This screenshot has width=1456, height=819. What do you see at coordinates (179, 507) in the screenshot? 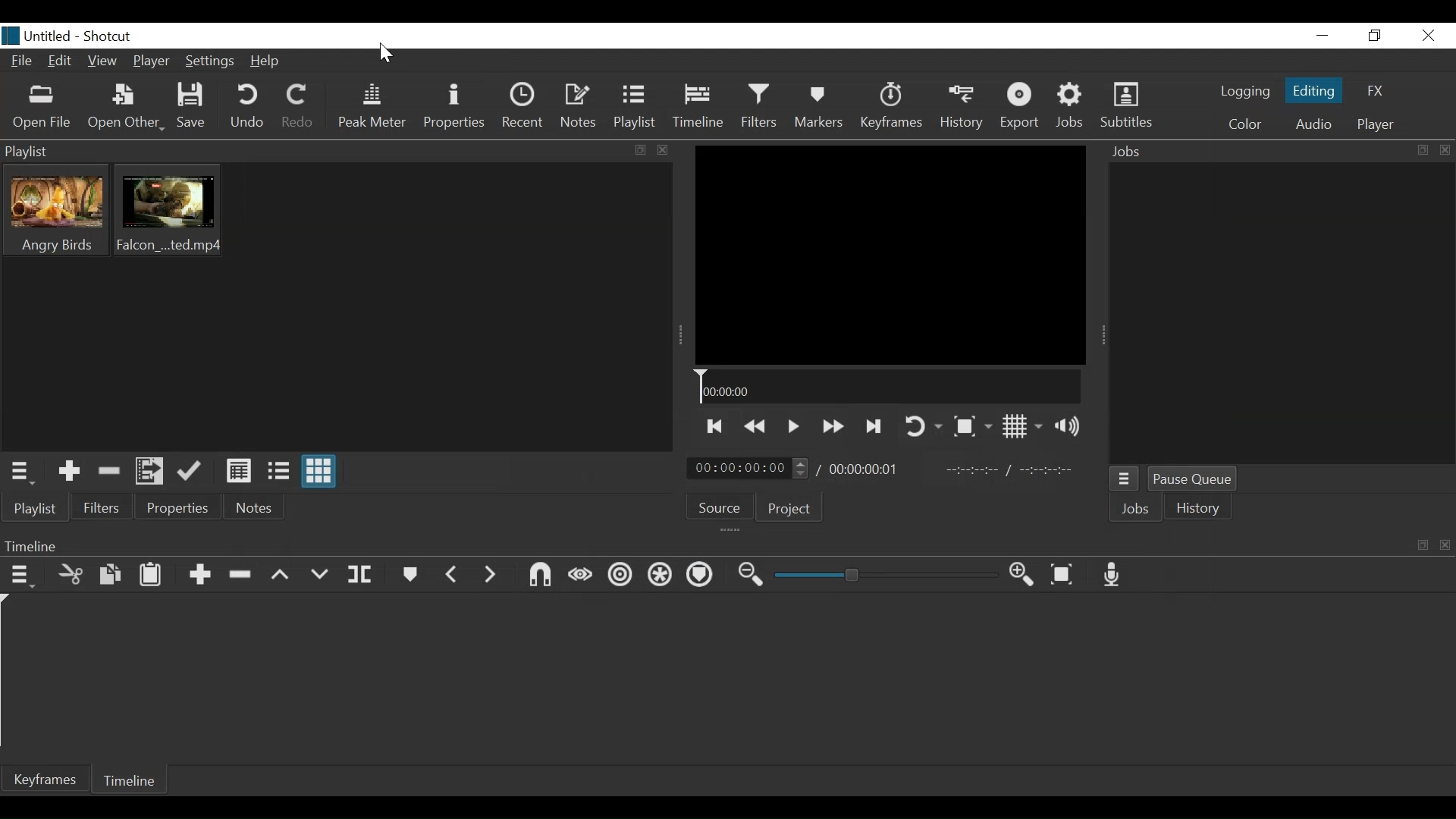
I see `Properties` at bounding box center [179, 507].